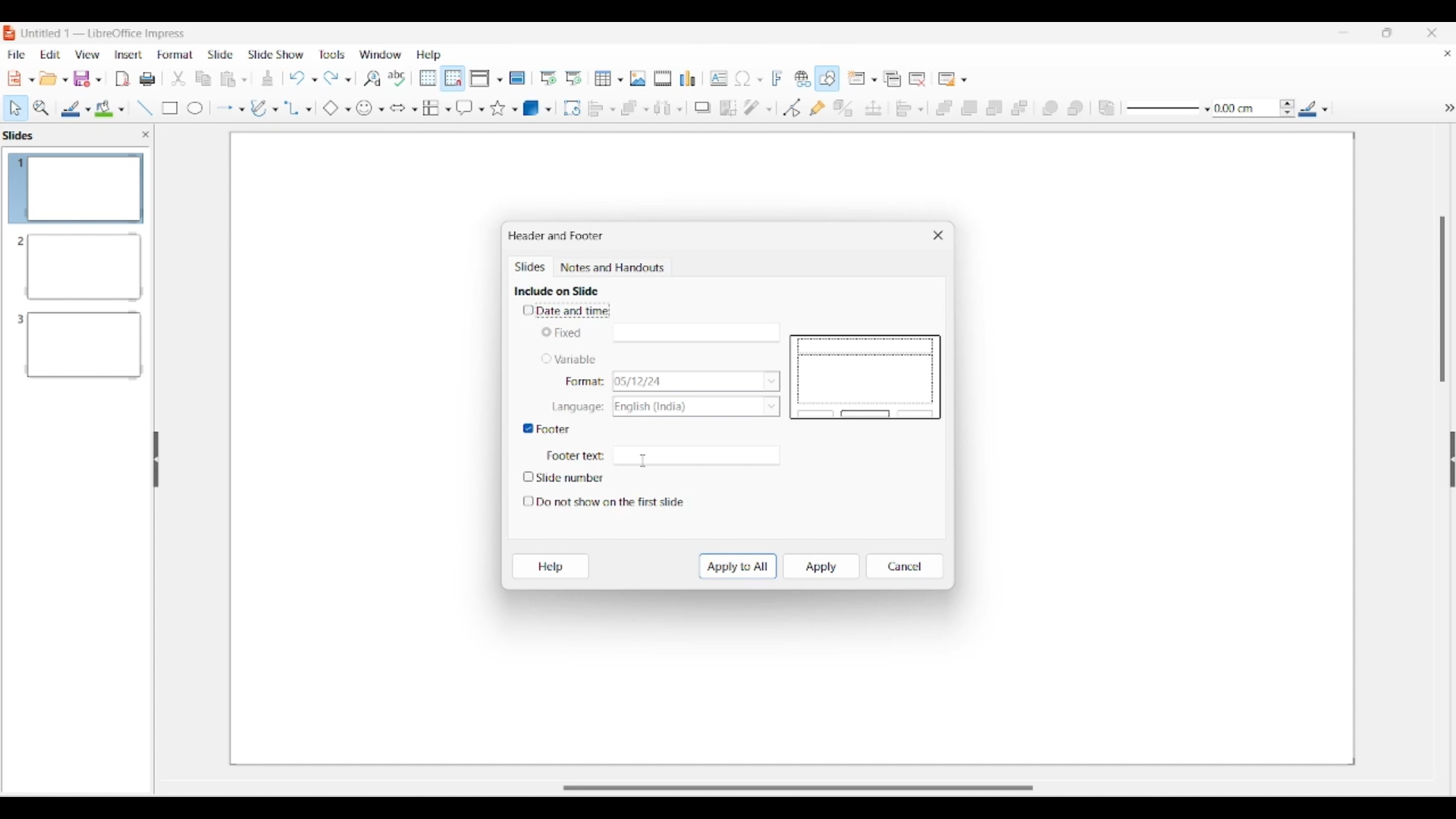 This screenshot has width=1456, height=819. I want to click on Callout shape options, so click(470, 108).